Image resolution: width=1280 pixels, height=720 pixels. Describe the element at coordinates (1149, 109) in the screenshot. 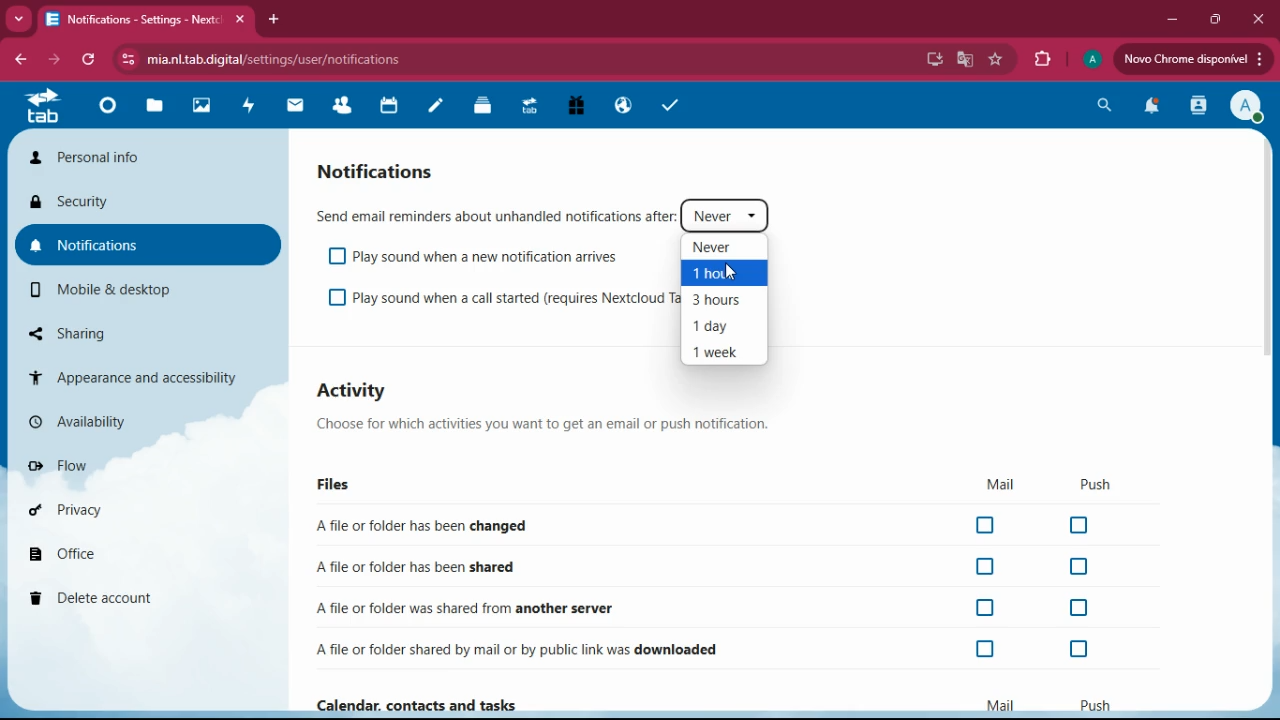

I see `notifications` at that location.